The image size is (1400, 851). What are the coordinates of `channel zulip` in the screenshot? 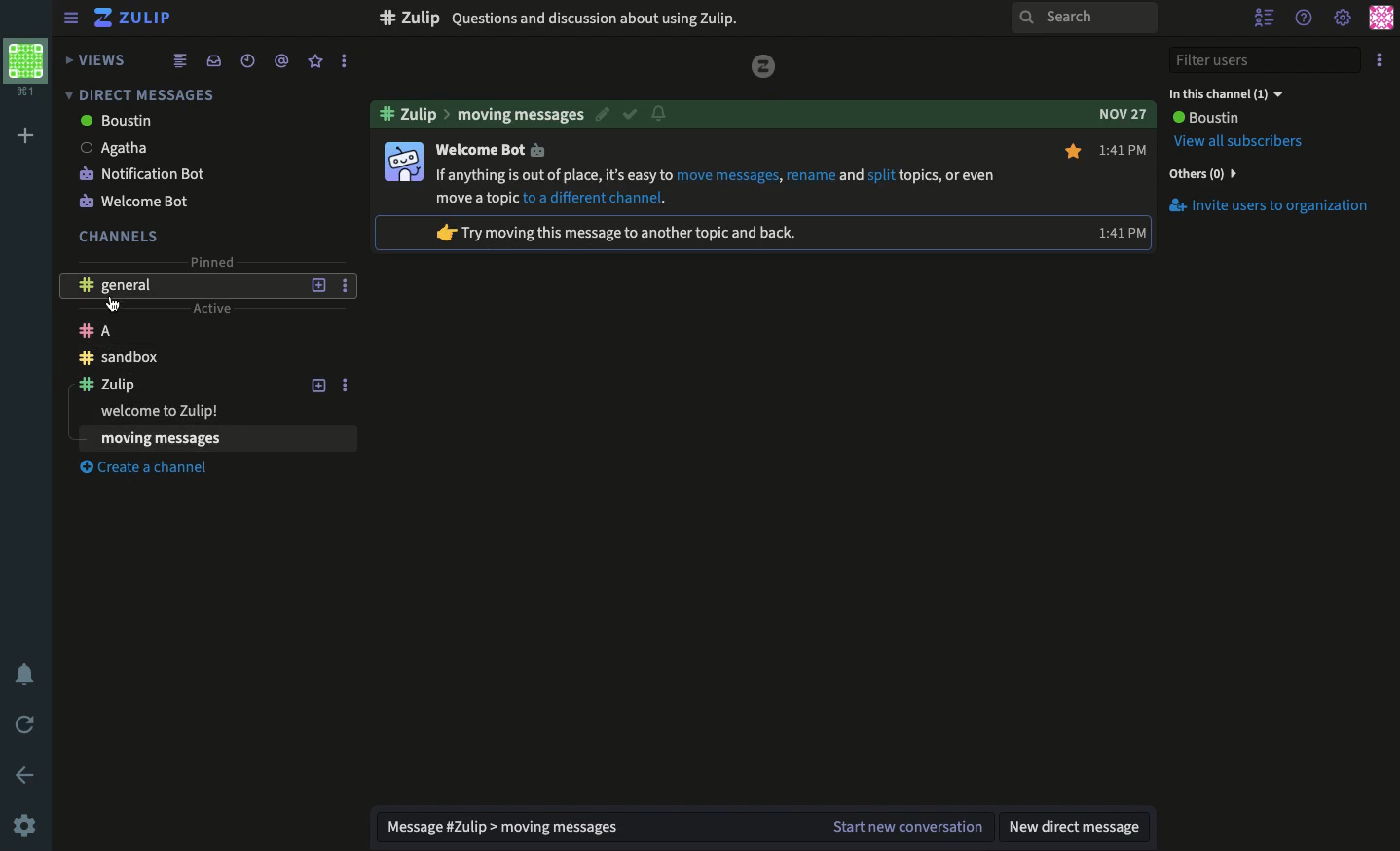 It's located at (188, 386).